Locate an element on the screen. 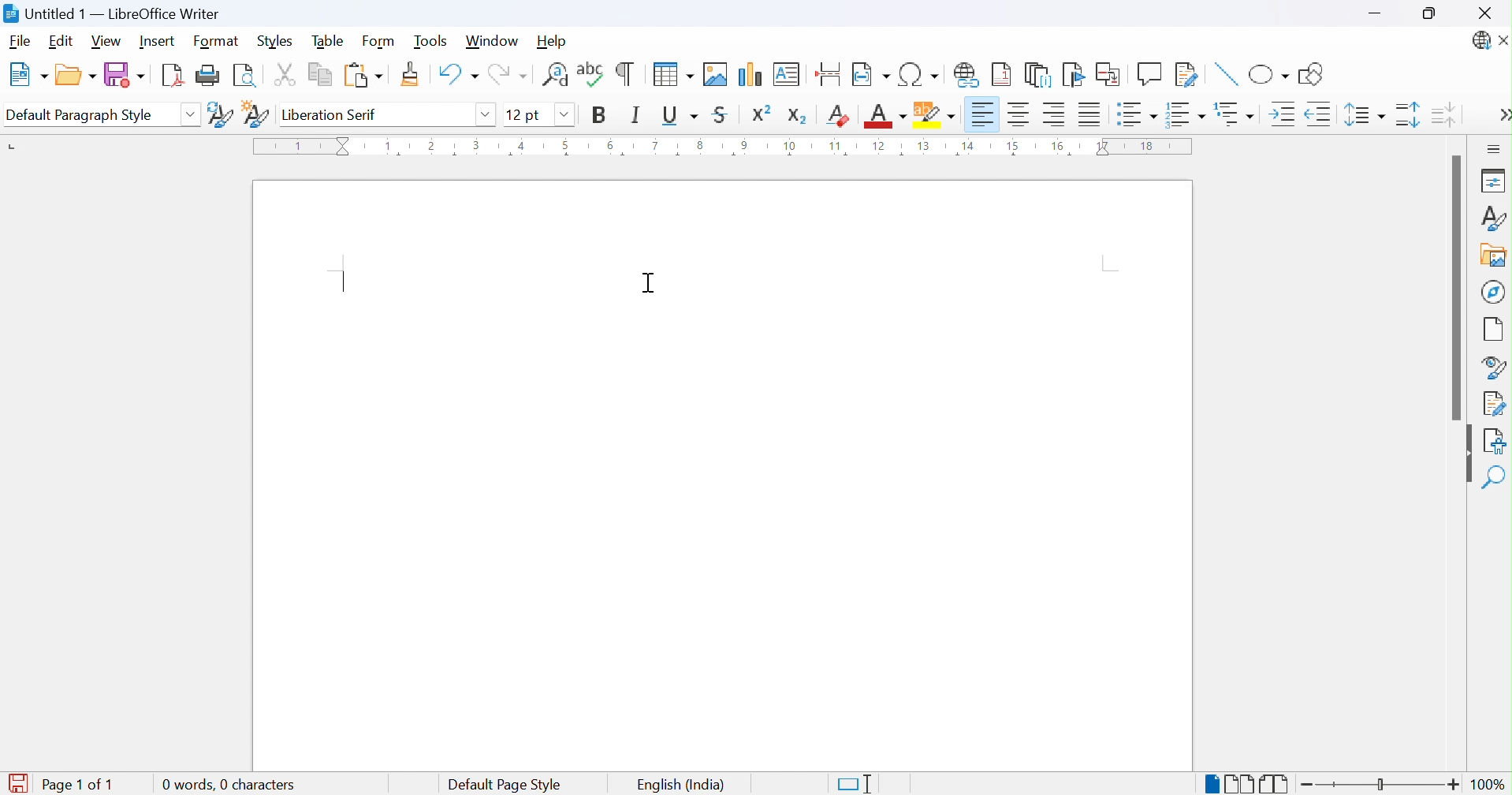 The width and height of the screenshot is (1512, 795). Insert line is located at coordinates (1227, 77).